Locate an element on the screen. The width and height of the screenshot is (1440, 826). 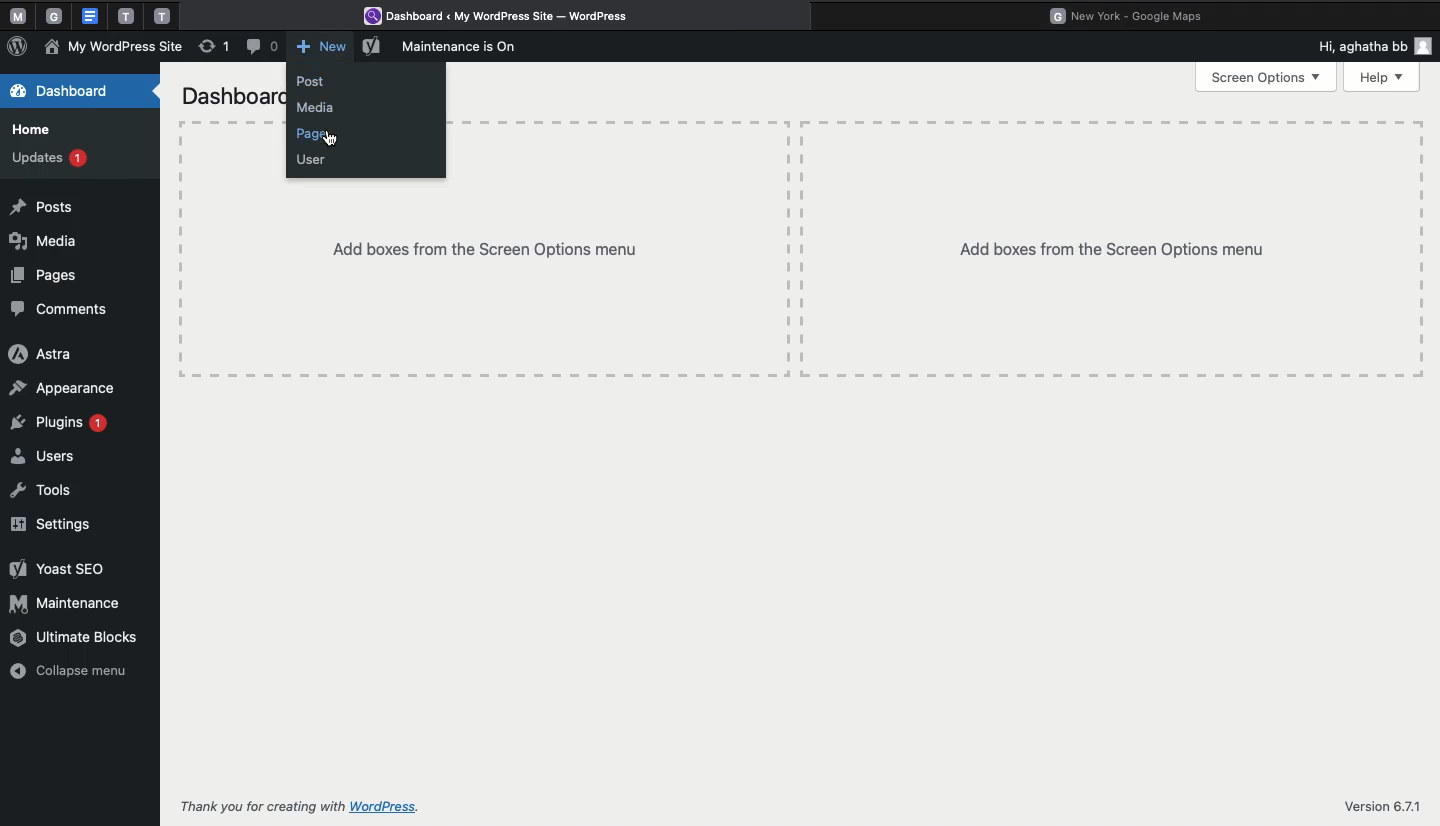
Users is located at coordinates (43, 457).